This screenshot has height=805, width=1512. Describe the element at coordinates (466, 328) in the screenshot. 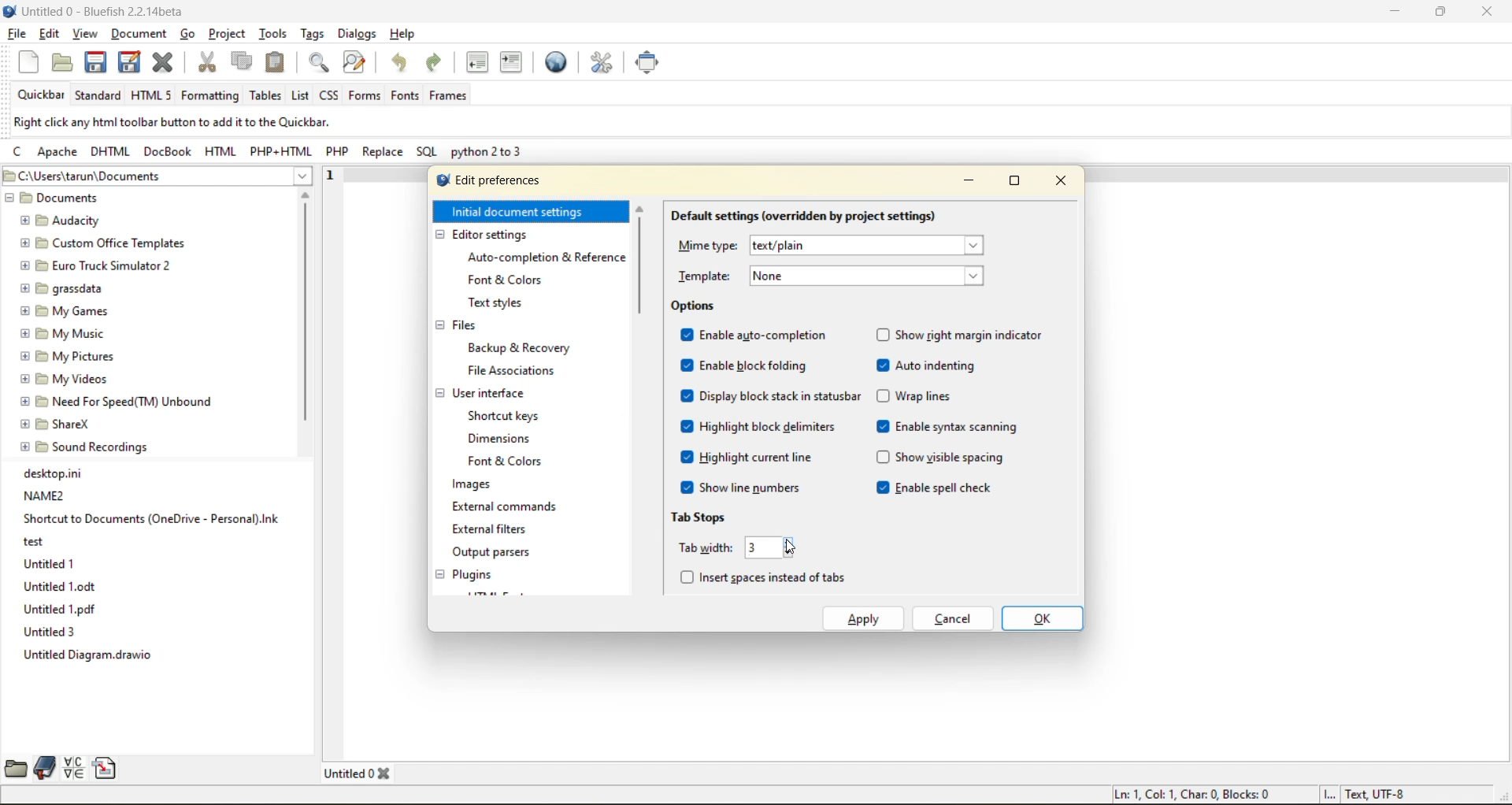

I see `files` at that location.